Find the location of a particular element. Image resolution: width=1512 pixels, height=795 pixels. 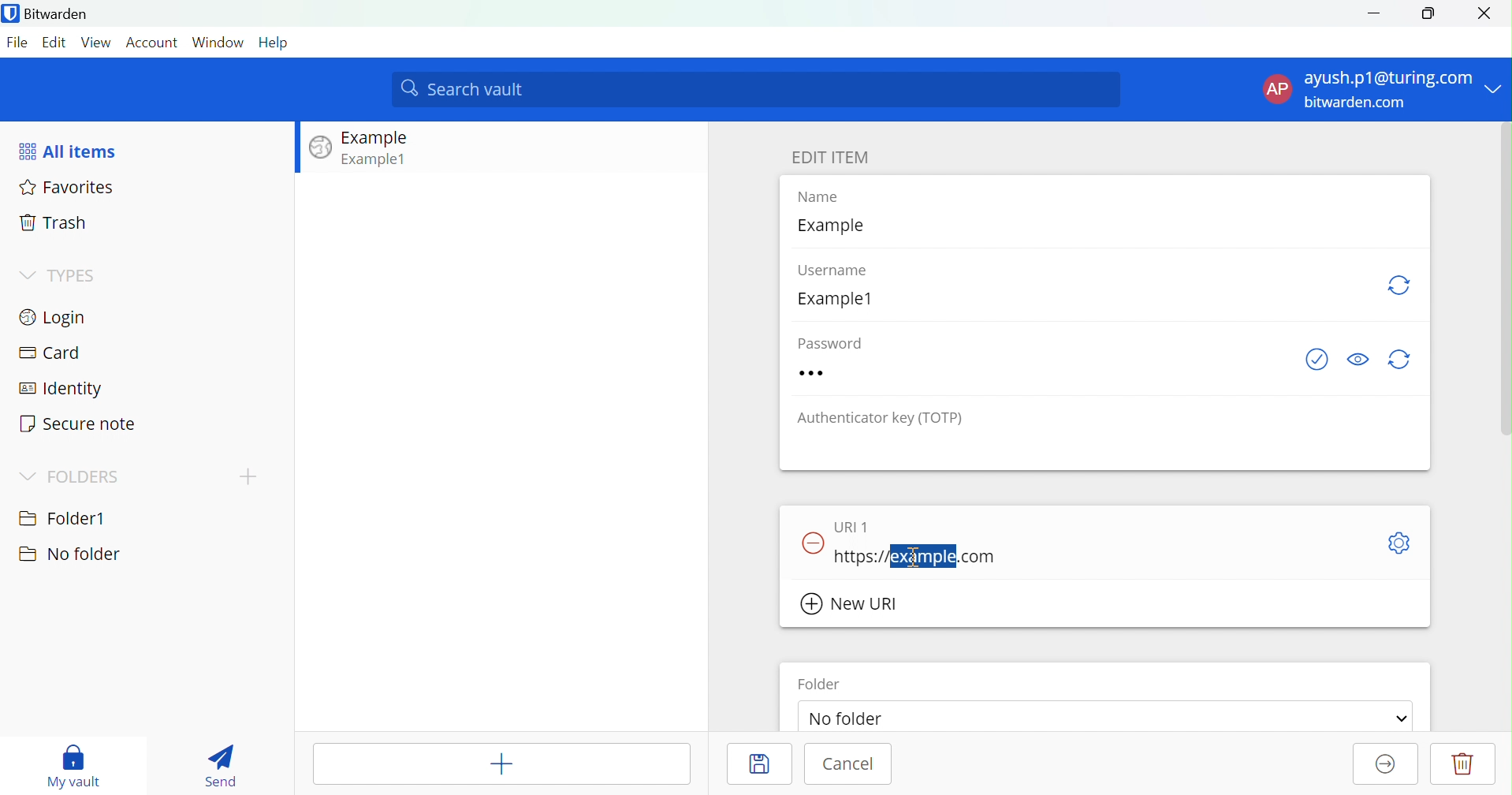

Card is located at coordinates (50, 353).